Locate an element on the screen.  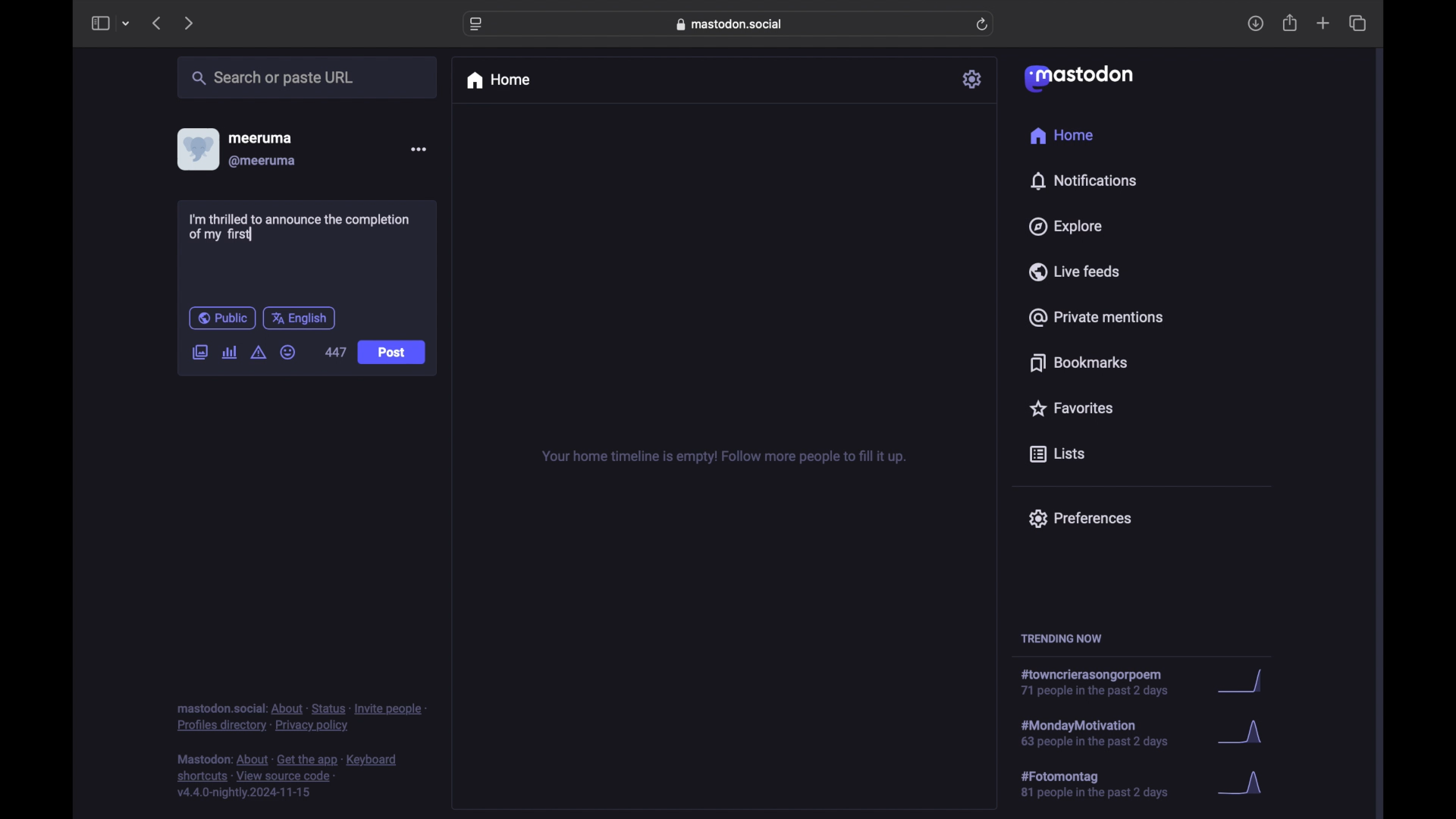
new tab overview is located at coordinates (1323, 23).